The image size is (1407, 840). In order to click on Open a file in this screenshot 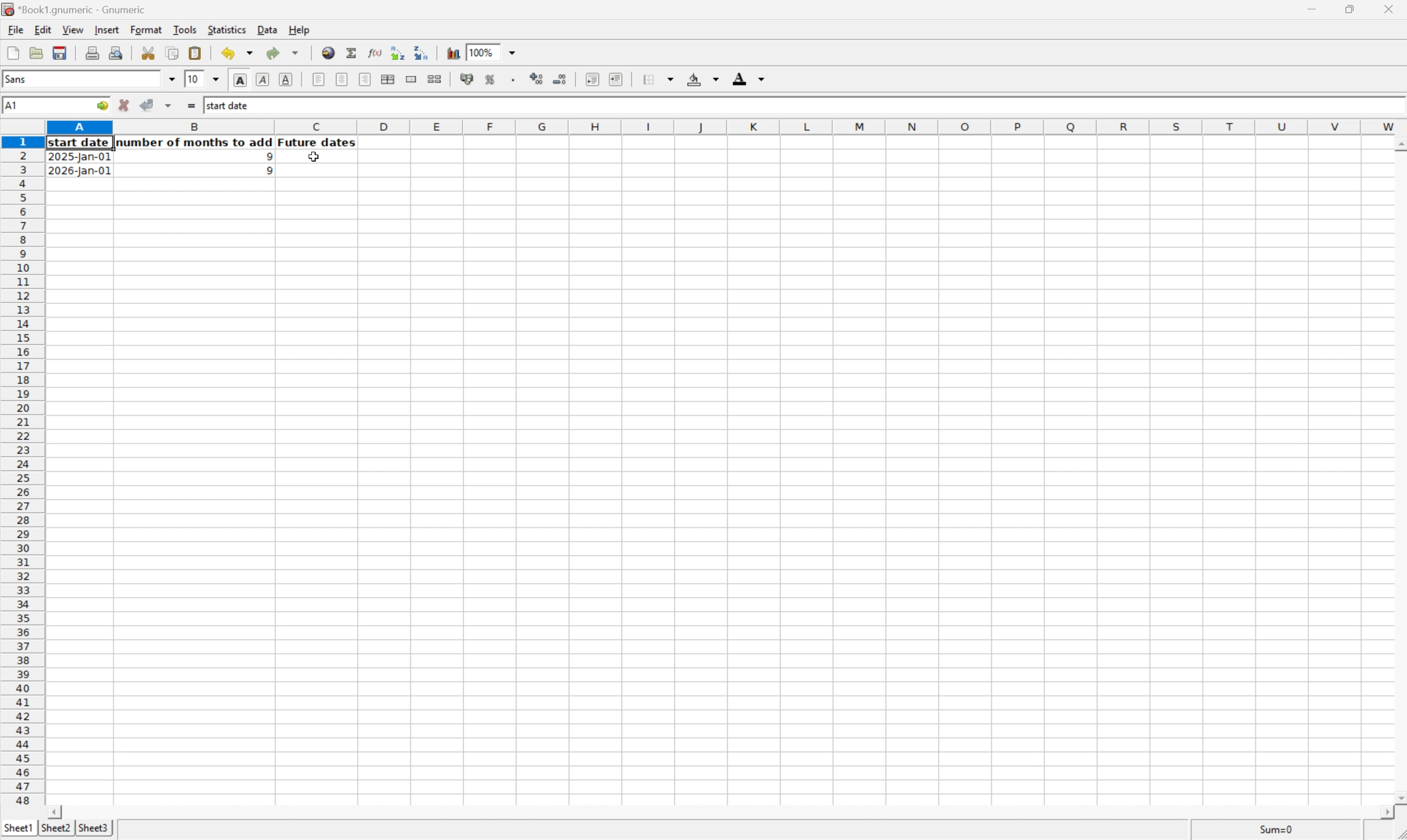, I will do `click(35, 53)`.